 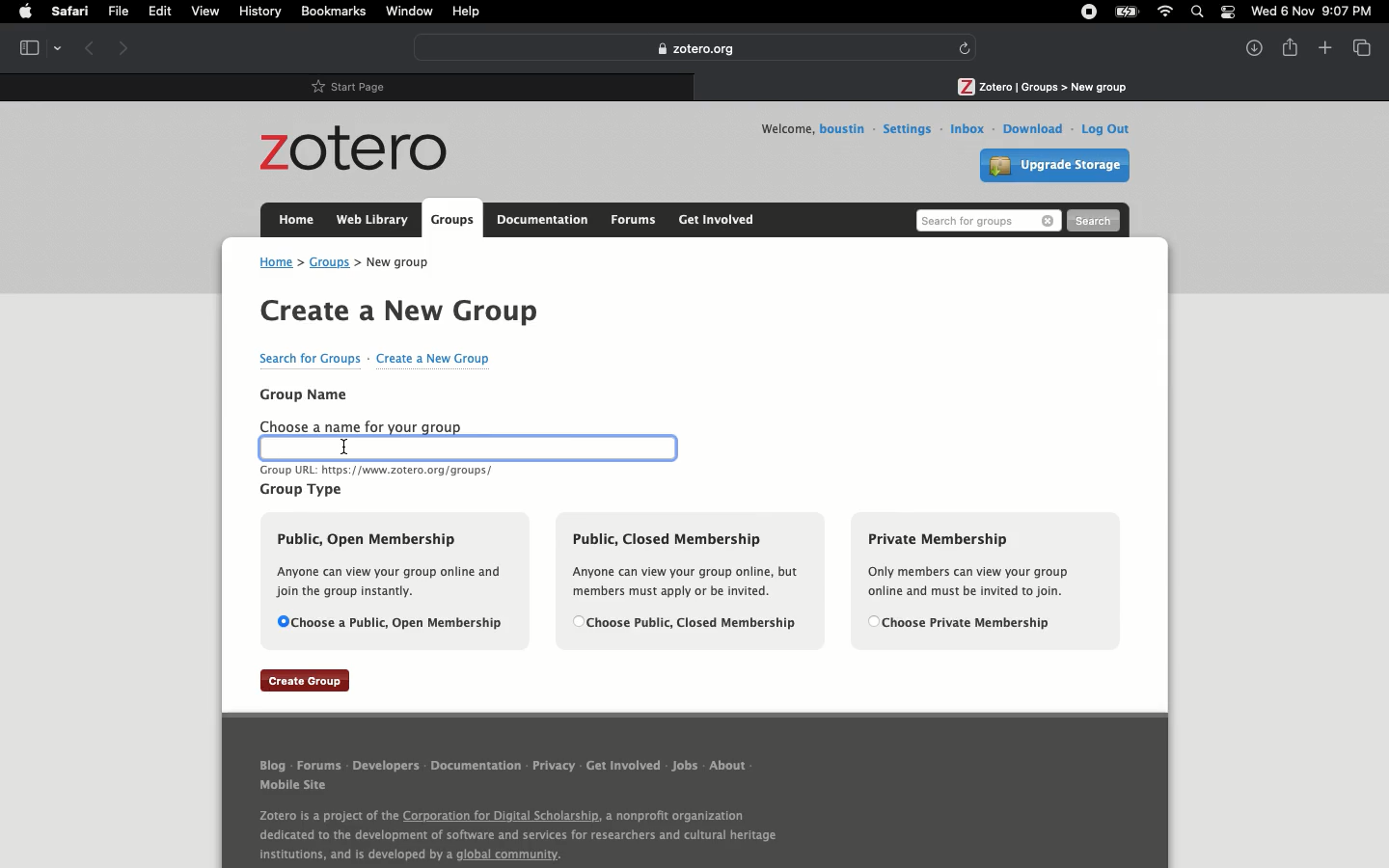 What do you see at coordinates (844, 129) in the screenshot?
I see `Username` at bounding box center [844, 129].